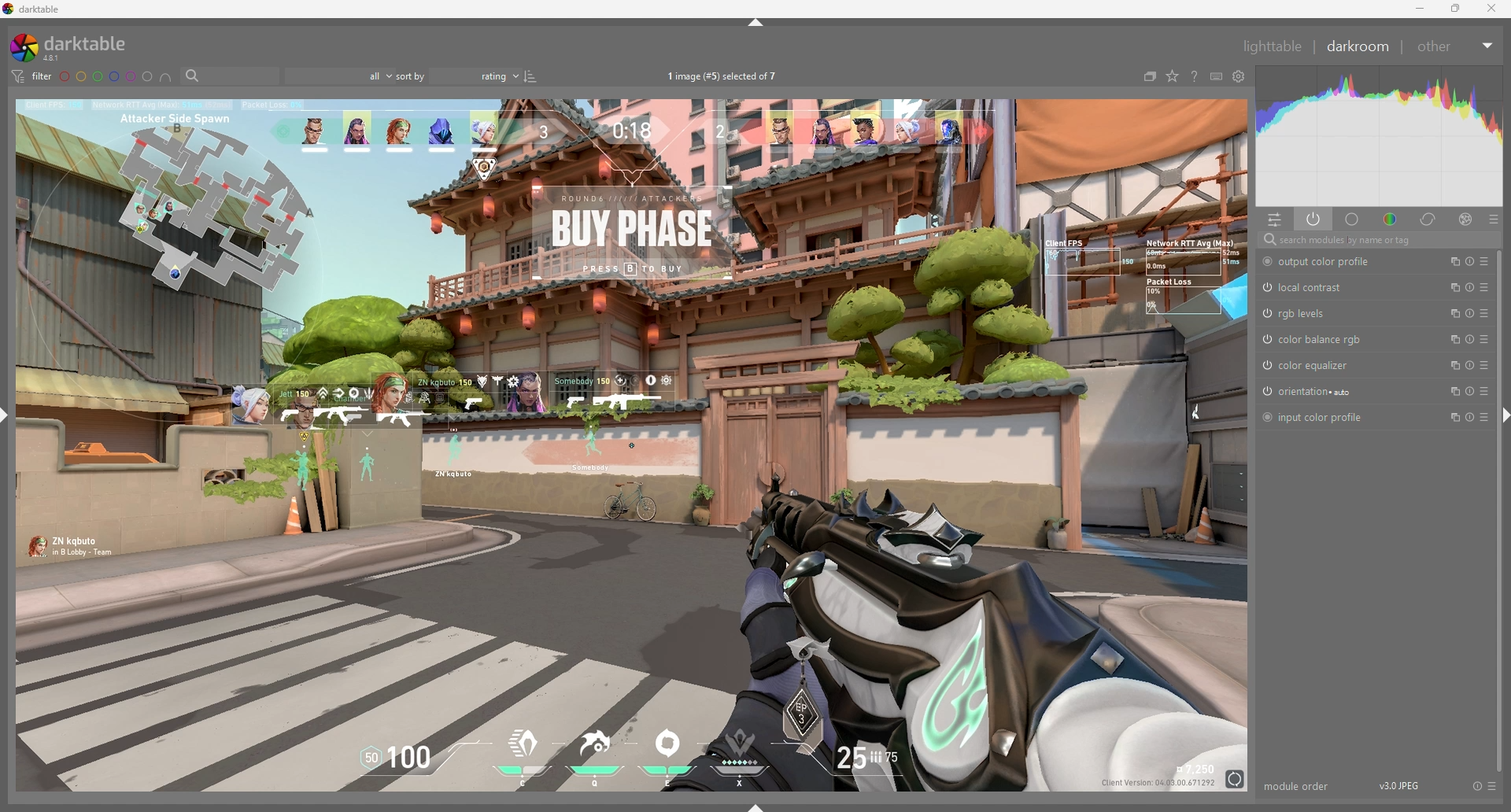 Image resolution: width=1511 pixels, height=812 pixels. Describe the element at coordinates (1150, 76) in the screenshot. I see `collapse grouped images` at that location.